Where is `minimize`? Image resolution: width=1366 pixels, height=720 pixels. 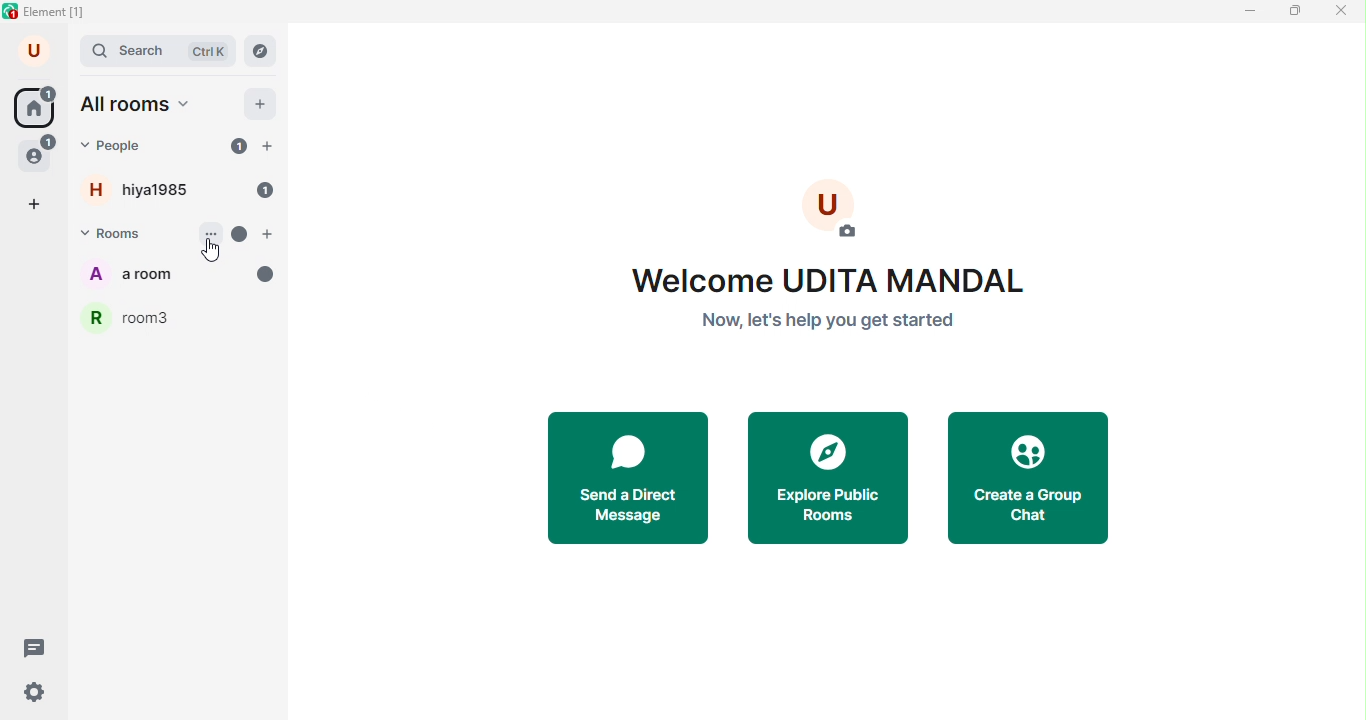 minimize is located at coordinates (1252, 11).